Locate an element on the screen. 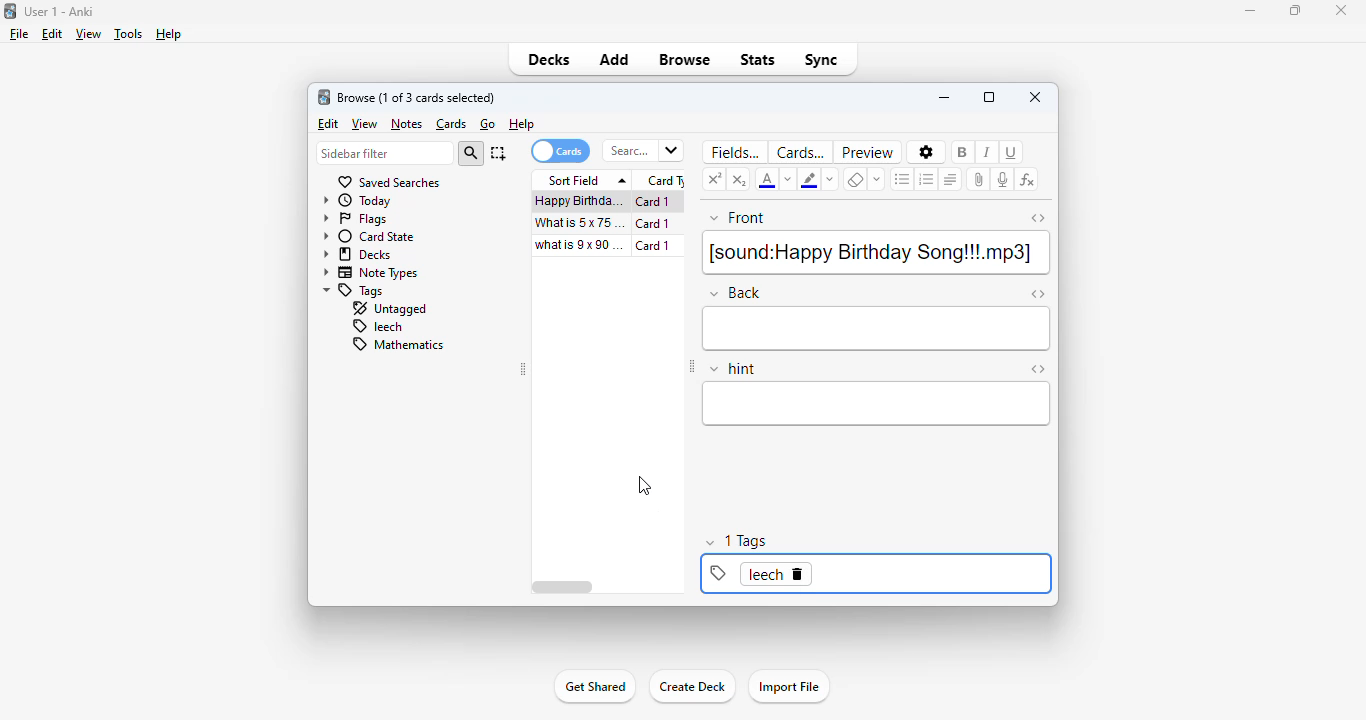  search is located at coordinates (471, 154).